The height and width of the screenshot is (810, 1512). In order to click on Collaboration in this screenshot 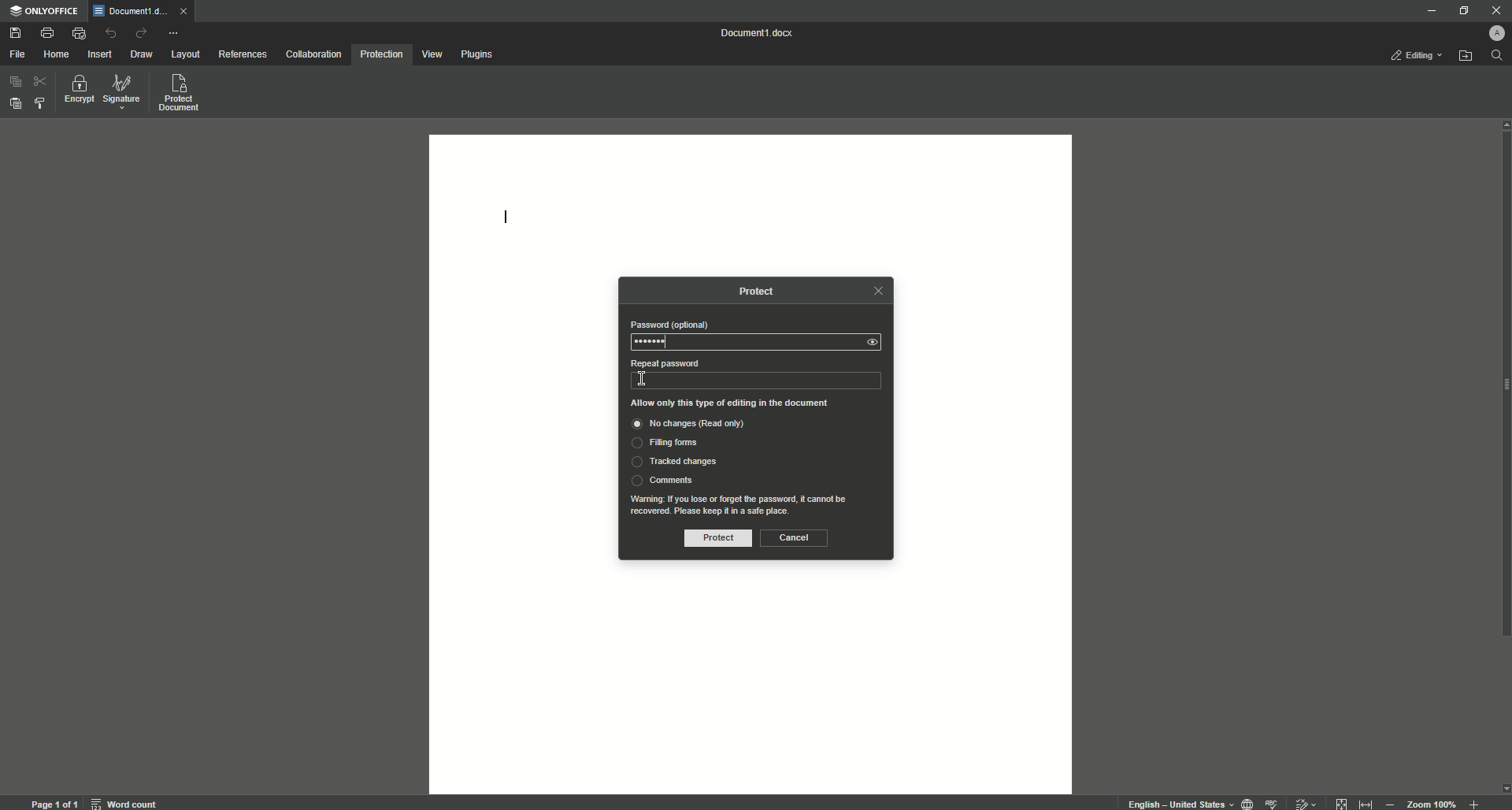, I will do `click(314, 54)`.